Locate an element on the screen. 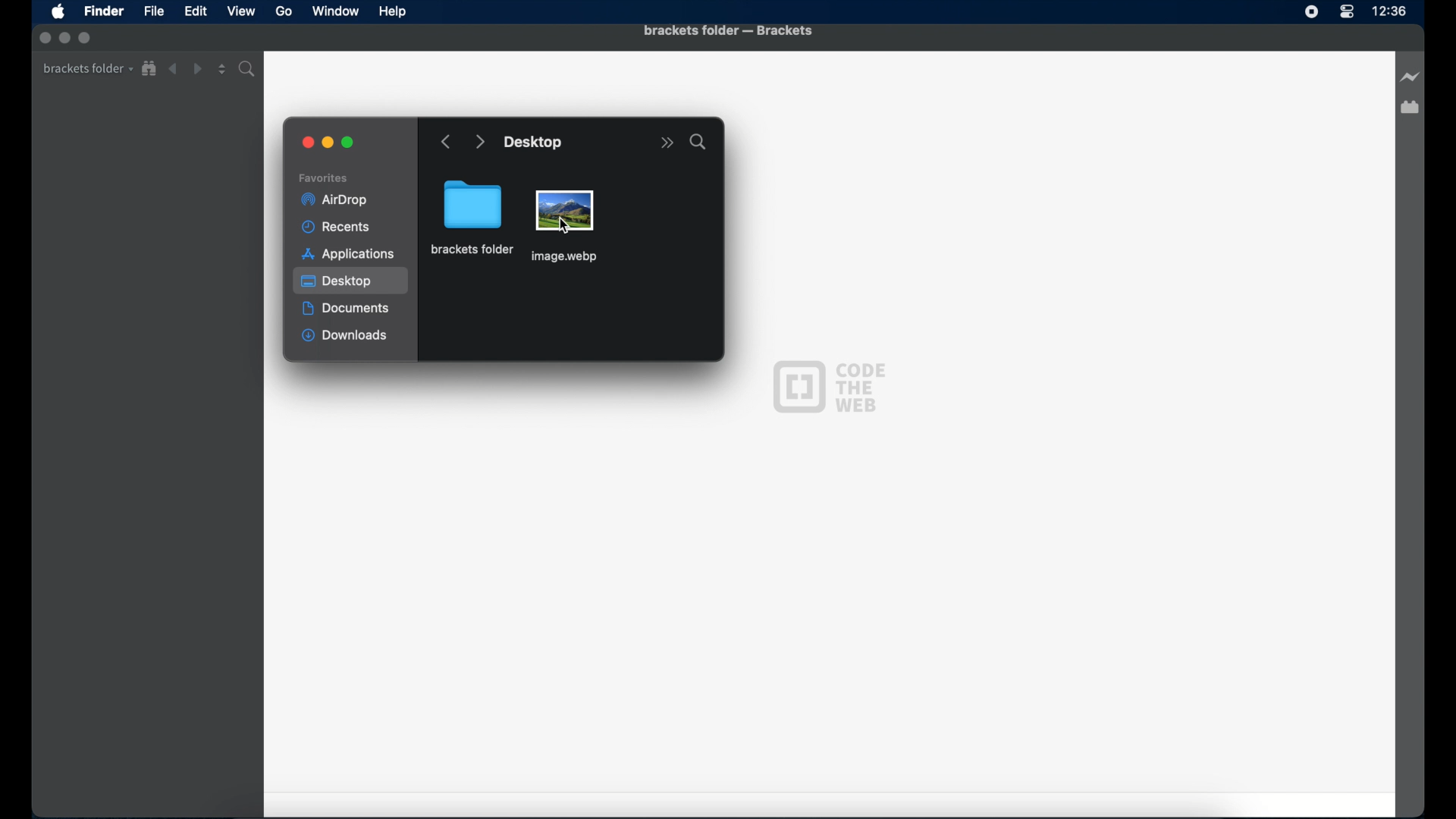  go forward is located at coordinates (479, 143).